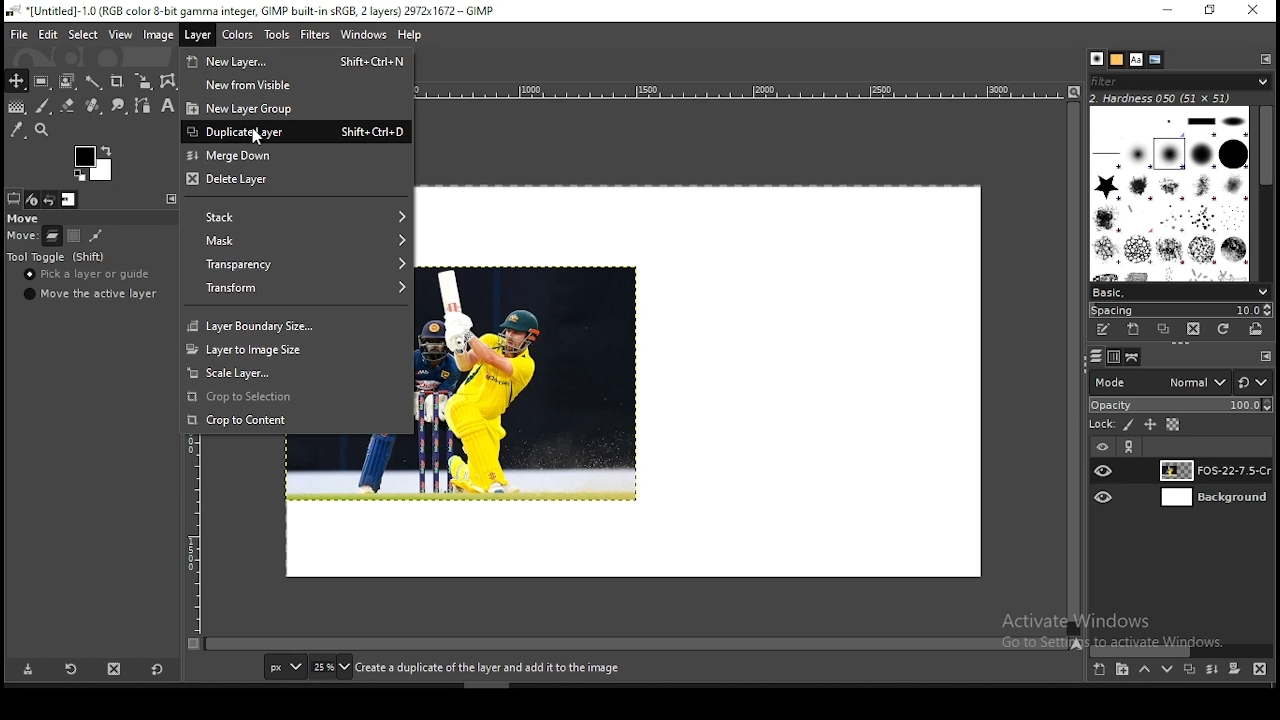 The width and height of the screenshot is (1280, 720). What do you see at coordinates (1168, 672) in the screenshot?
I see `move layer on step down` at bounding box center [1168, 672].